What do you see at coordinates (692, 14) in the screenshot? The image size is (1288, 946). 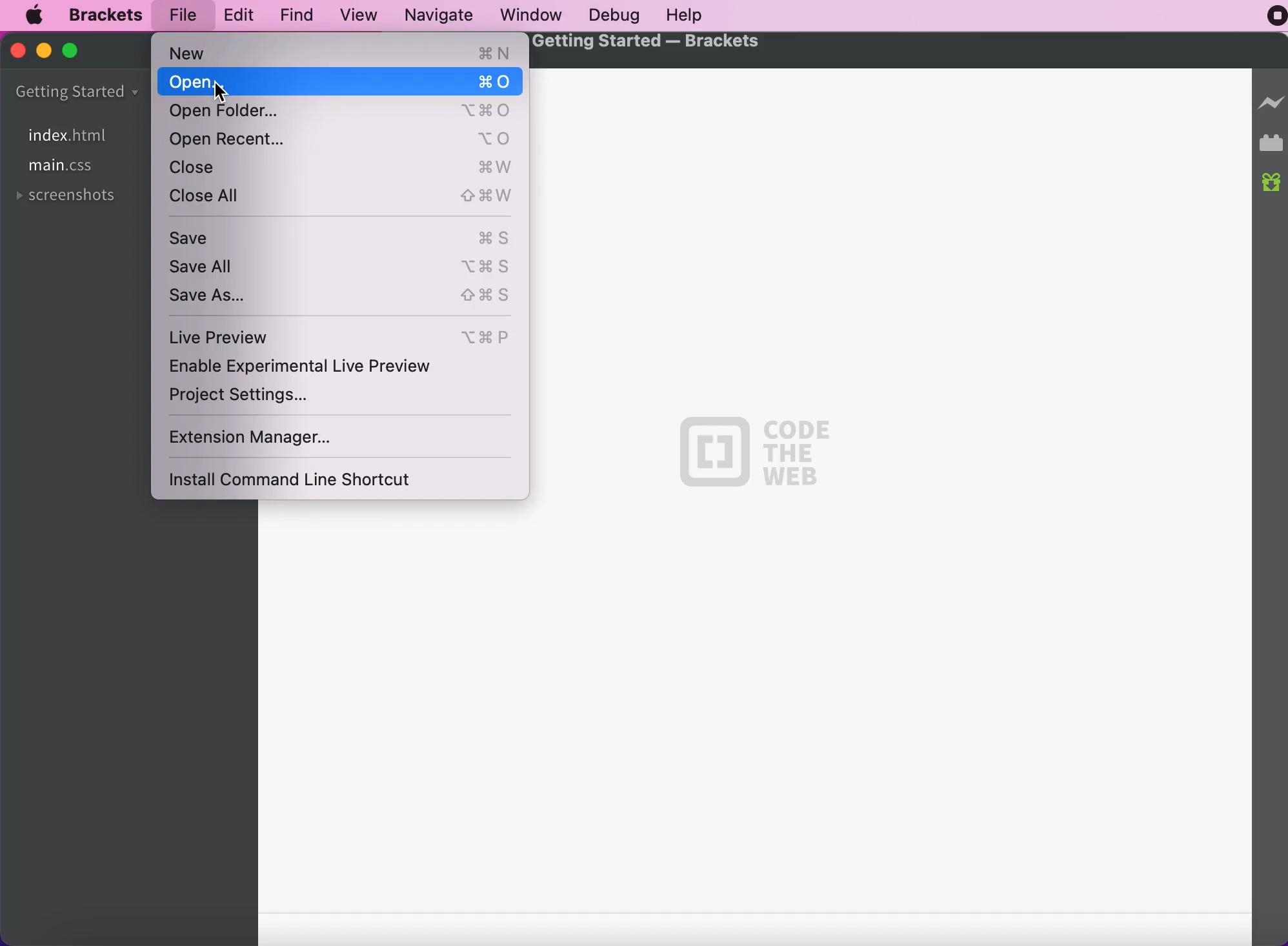 I see `help` at bounding box center [692, 14].